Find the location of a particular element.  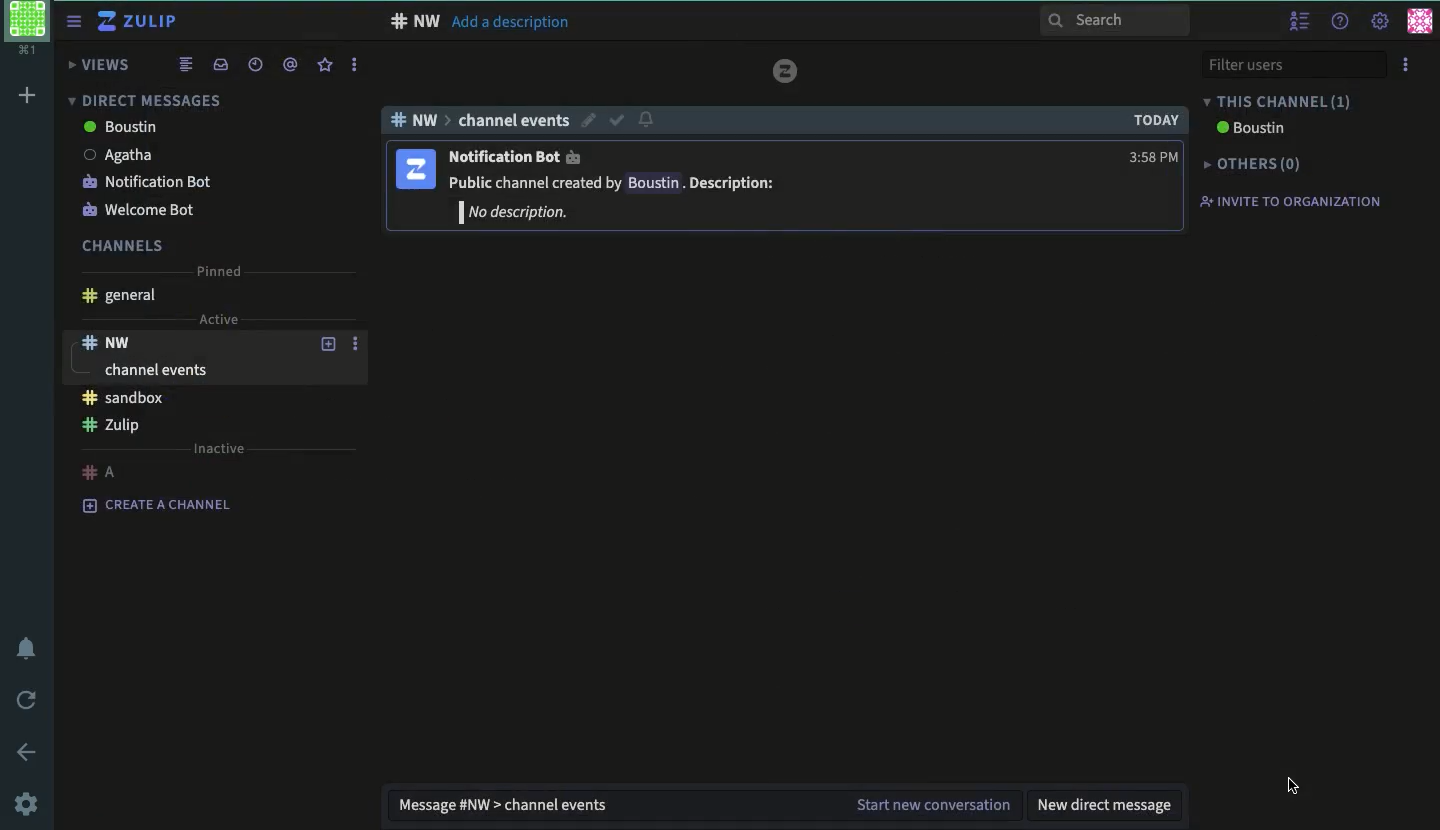

notification  is located at coordinates (647, 118).